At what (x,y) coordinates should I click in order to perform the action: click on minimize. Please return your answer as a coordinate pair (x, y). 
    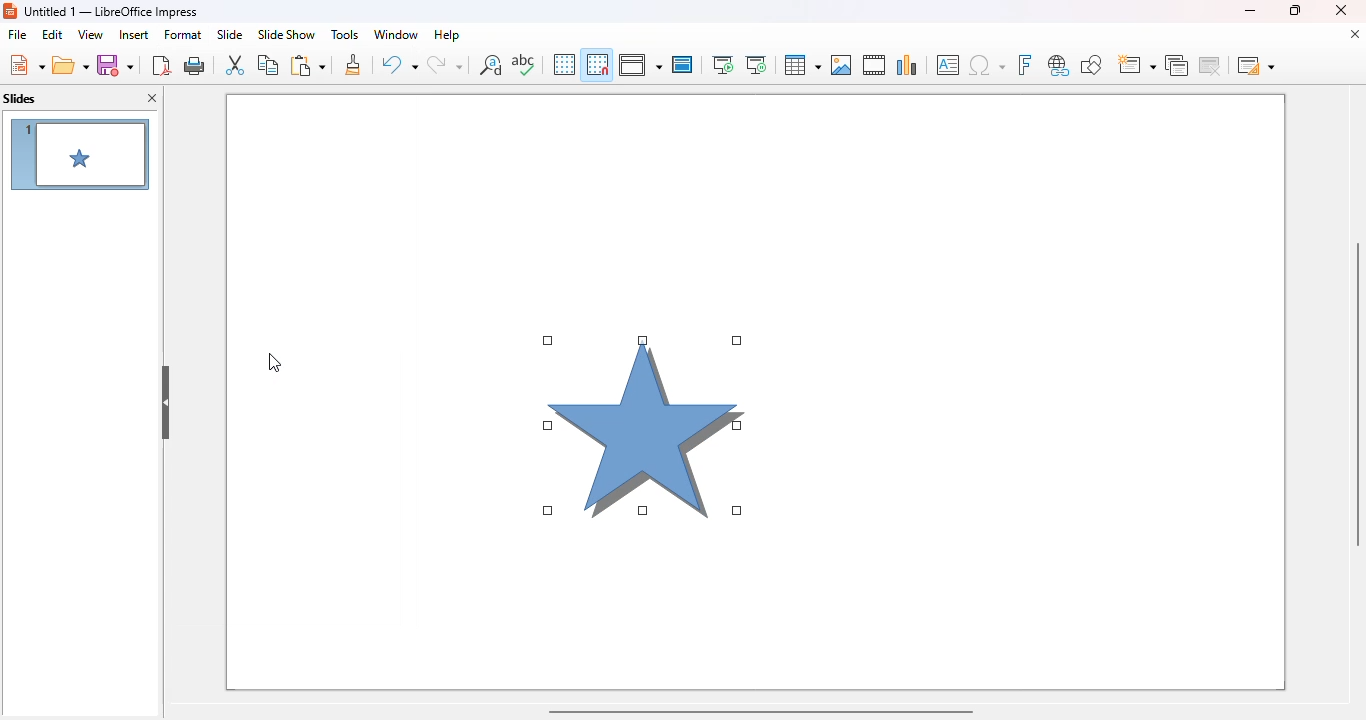
    Looking at the image, I should click on (1249, 10).